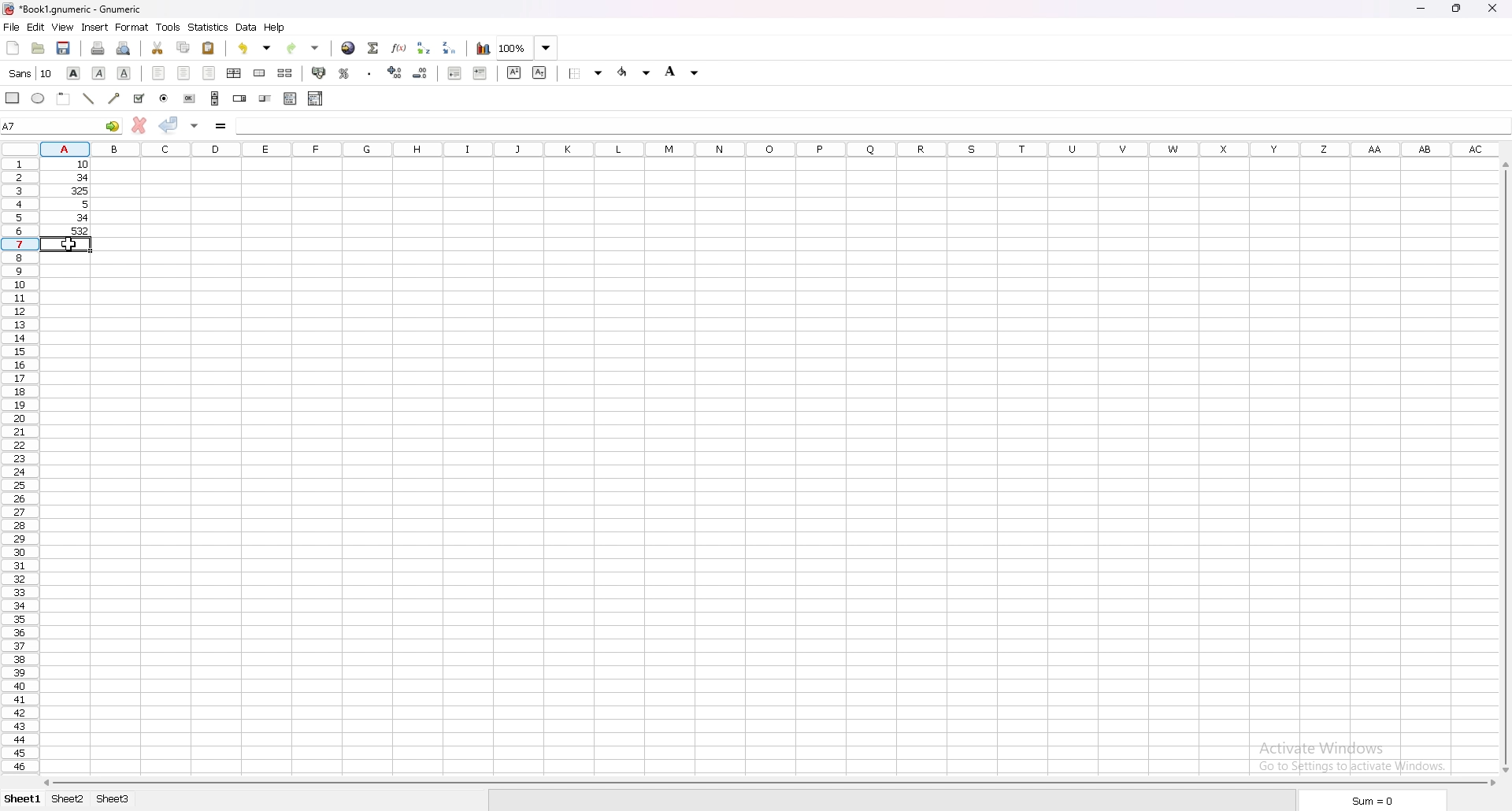 This screenshot has width=1512, height=811. Describe the element at coordinates (68, 798) in the screenshot. I see `sheet 2` at that location.